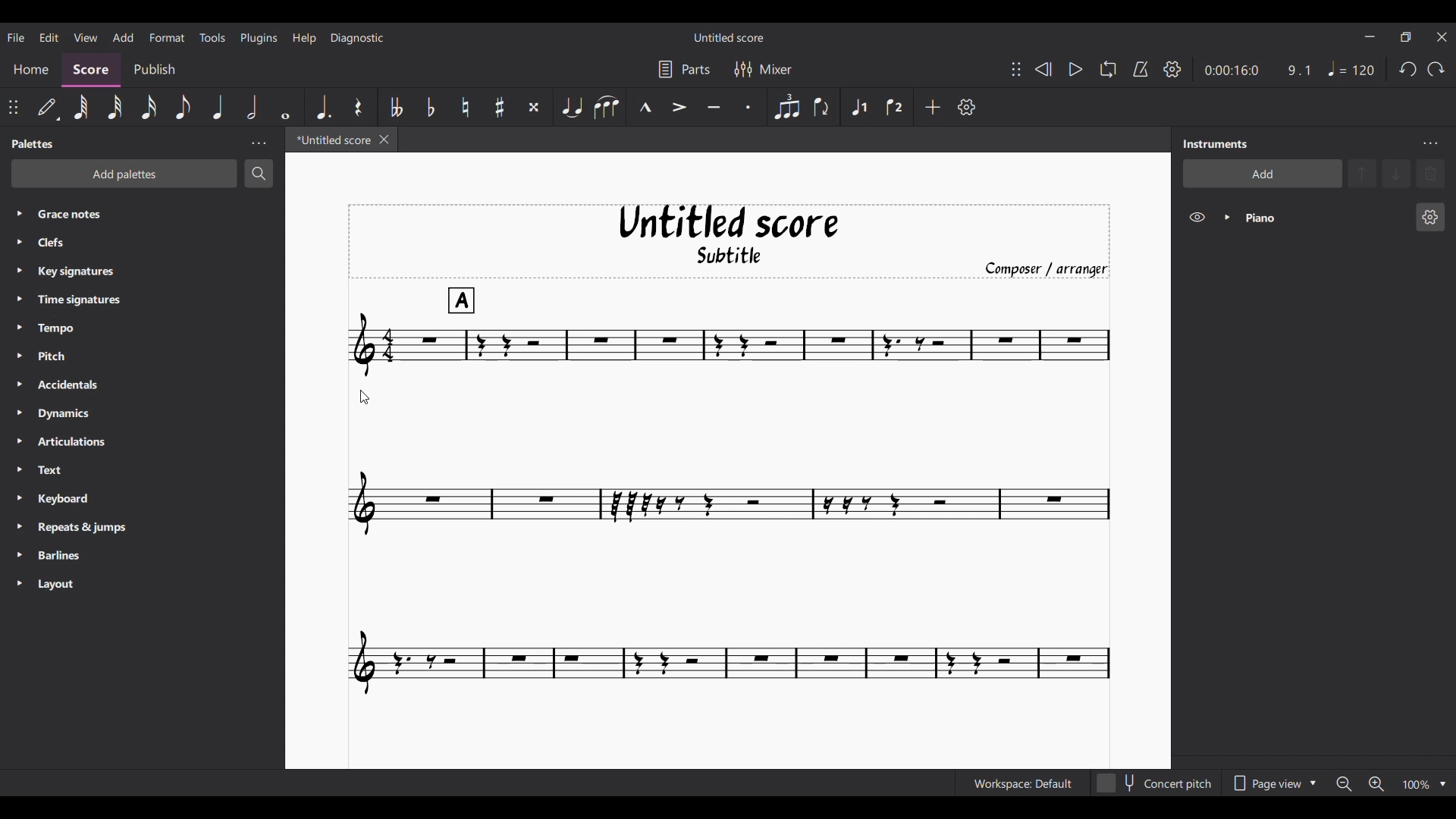 This screenshot has height=819, width=1456. I want to click on Customize toolbar, so click(967, 107).